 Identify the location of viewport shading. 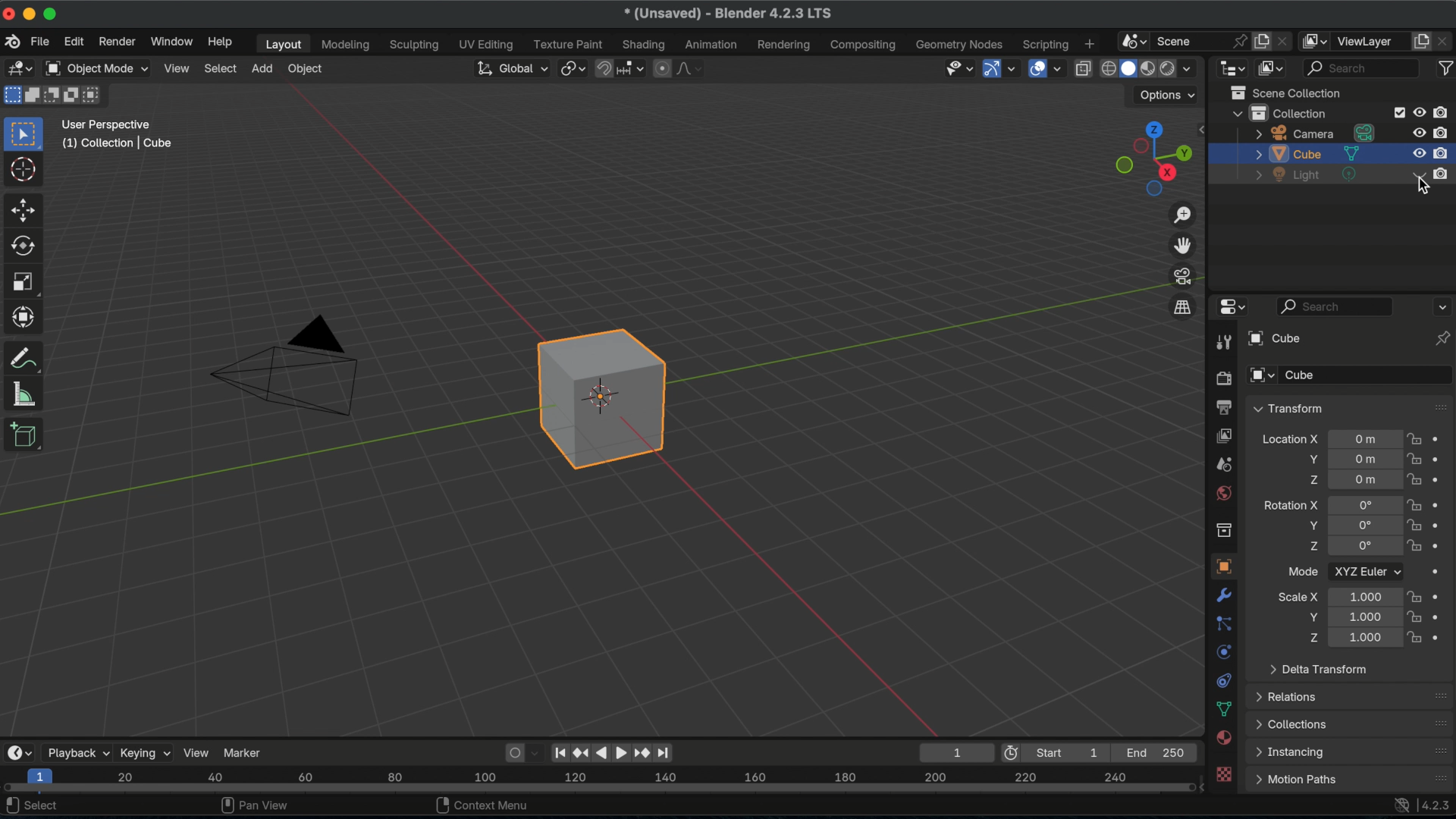
(1127, 67).